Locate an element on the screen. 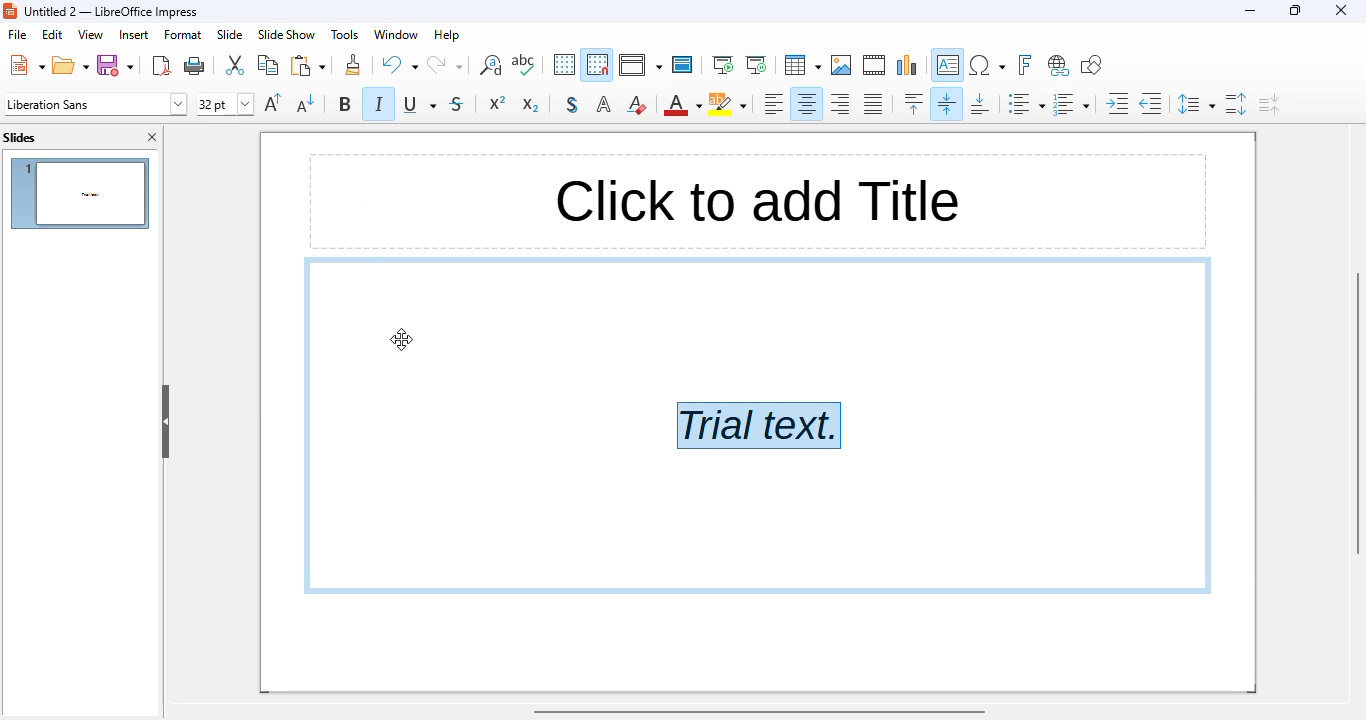  Click to add title is located at coordinates (752, 200).